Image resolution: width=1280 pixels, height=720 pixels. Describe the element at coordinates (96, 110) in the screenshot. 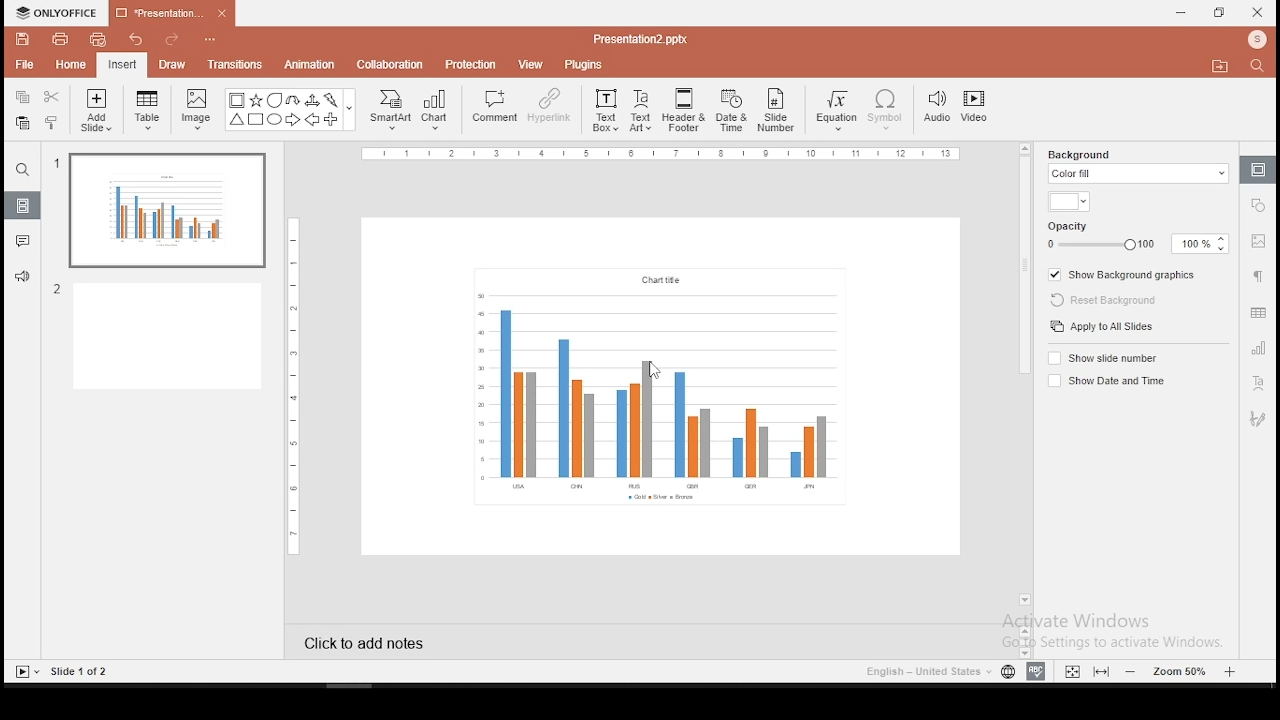

I see `add slide` at that location.